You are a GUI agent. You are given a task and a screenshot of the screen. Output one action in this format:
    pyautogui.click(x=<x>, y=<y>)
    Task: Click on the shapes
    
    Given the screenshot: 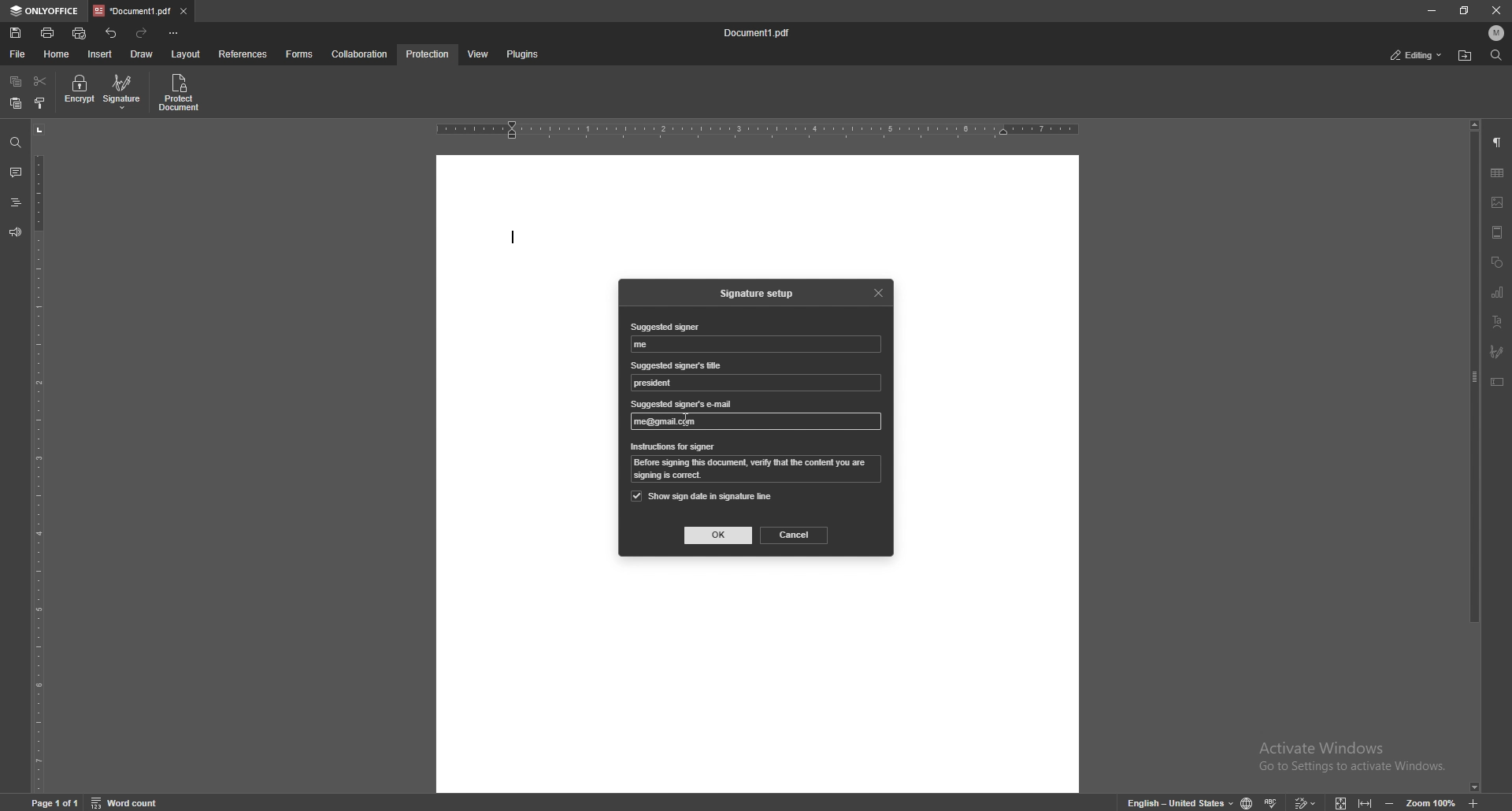 What is the action you would take?
    pyautogui.click(x=1496, y=263)
    